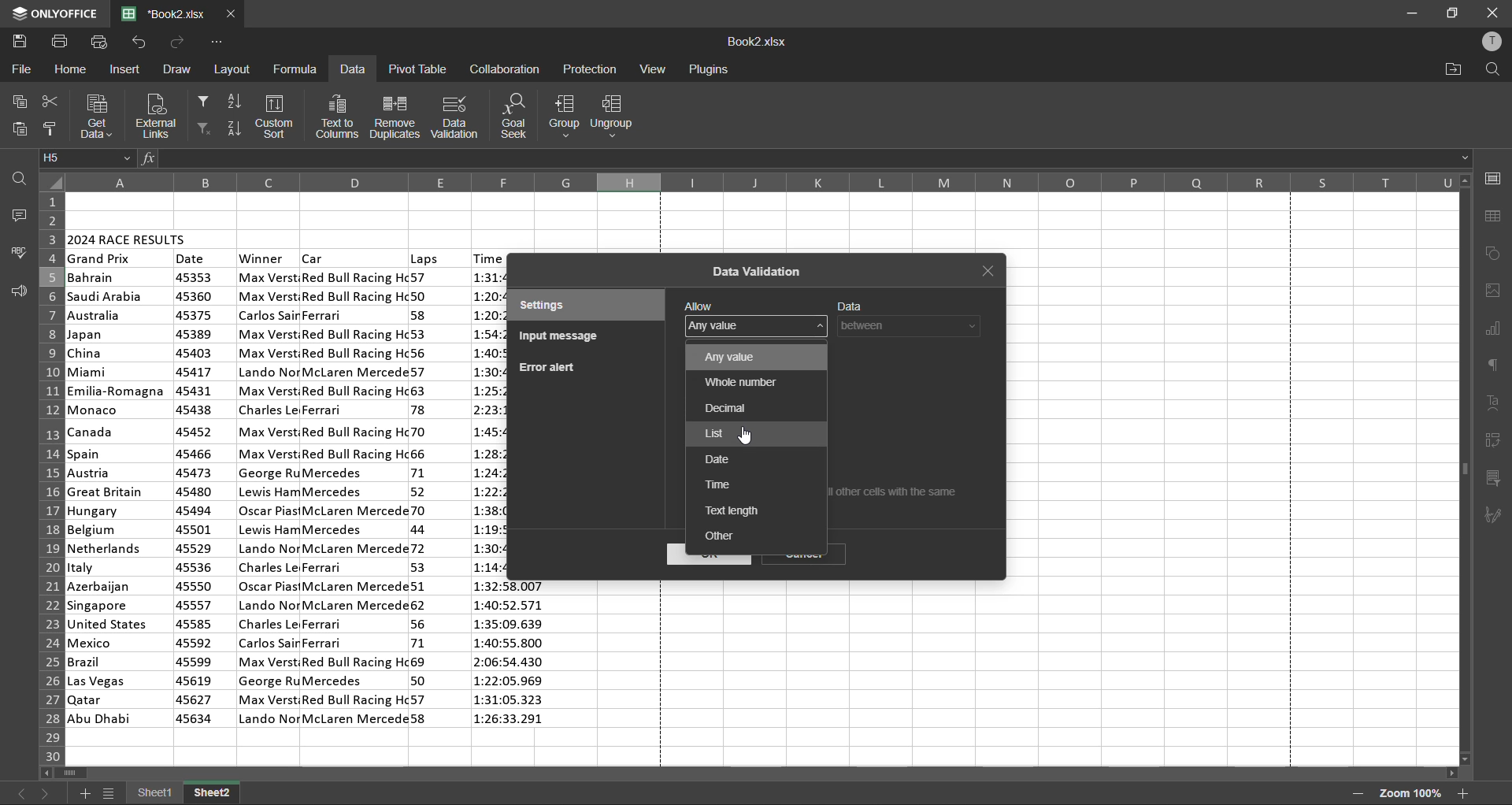 The image size is (1512, 805). Describe the element at coordinates (422, 500) in the screenshot. I see `laps` at that location.